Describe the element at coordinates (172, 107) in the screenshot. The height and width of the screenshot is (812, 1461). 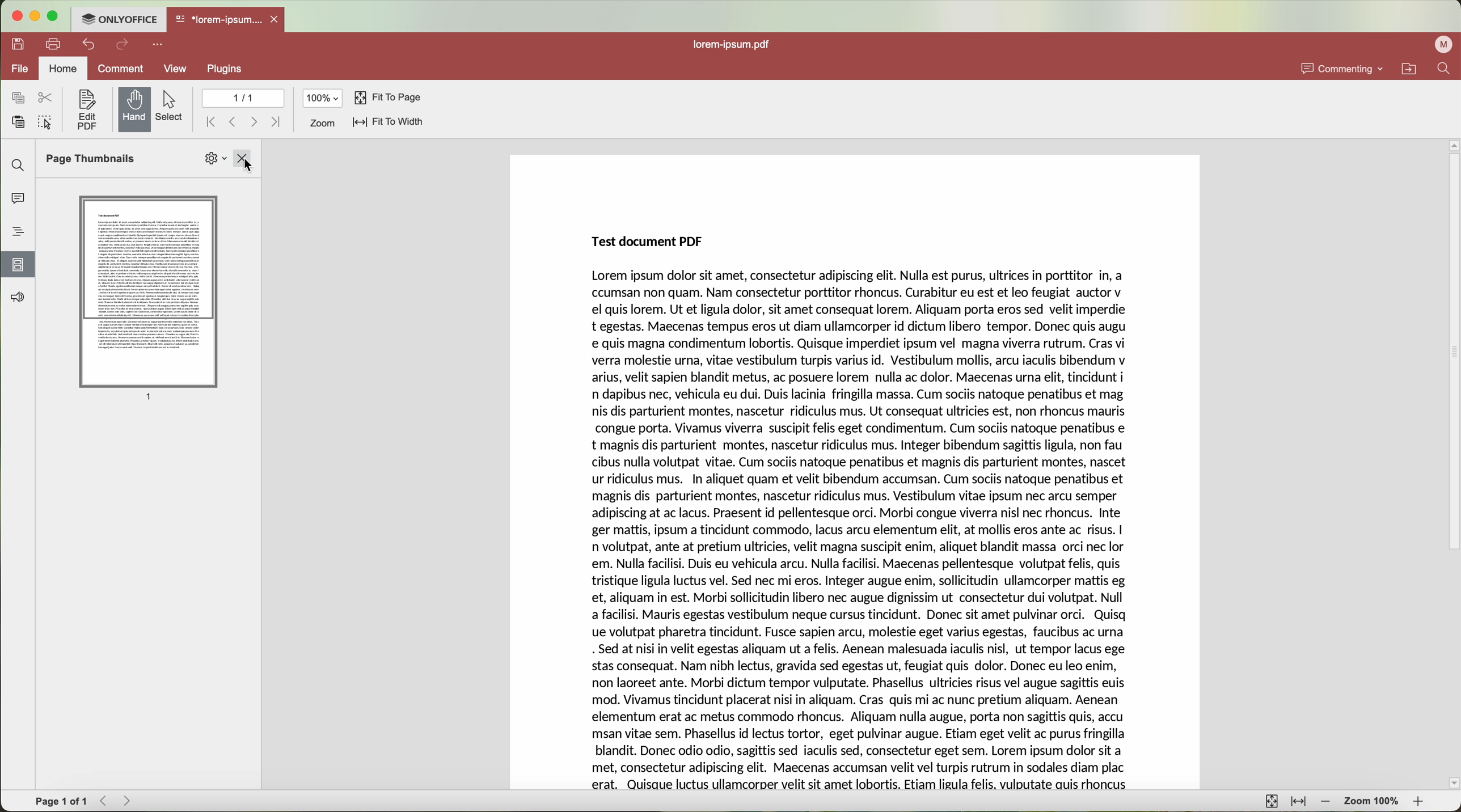
I see `select` at that location.